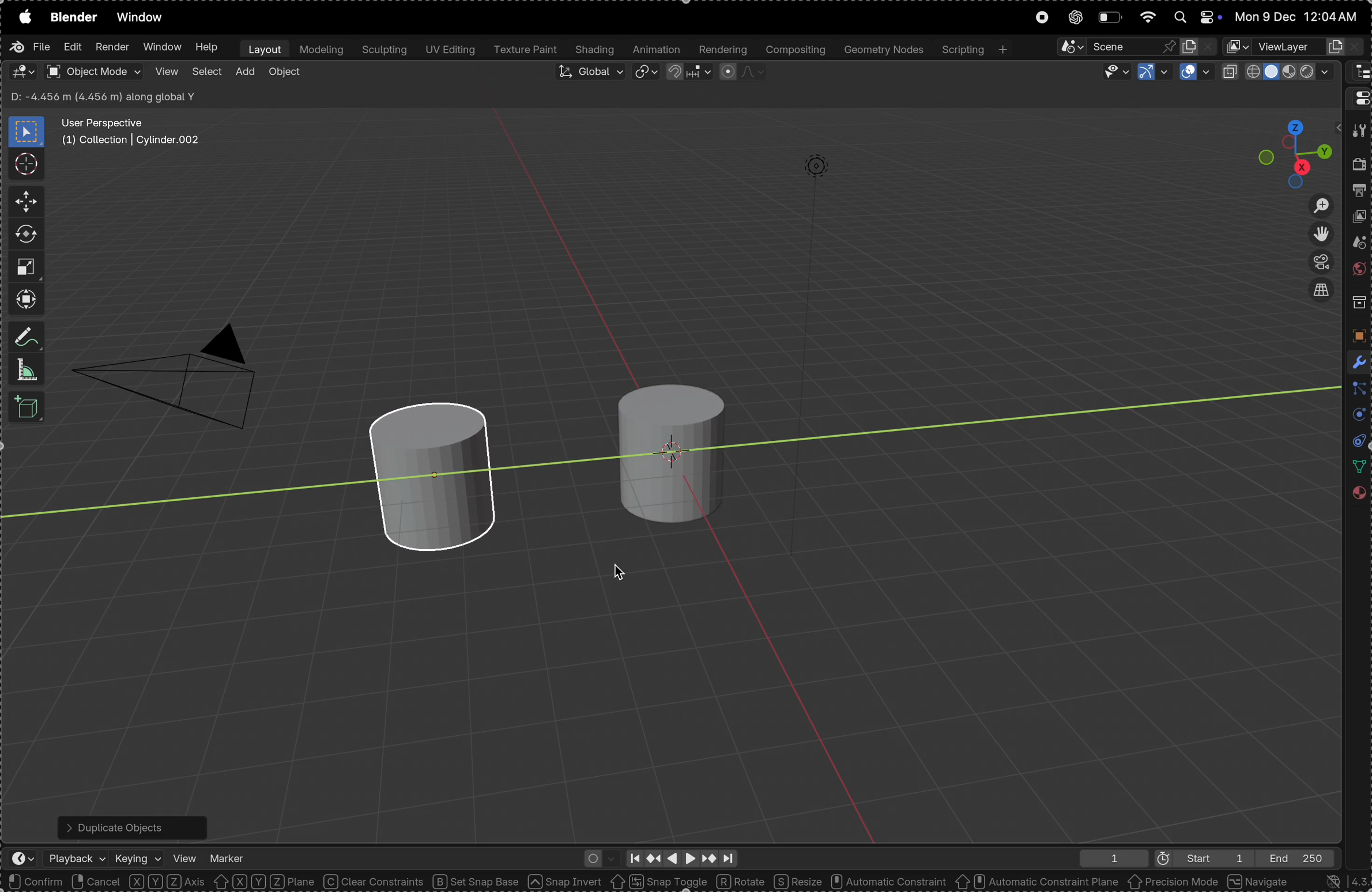 This screenshot has height=892, width=1372. Describe the element at coordinates (1147, 16) in the screenshot. I see `wifi` at that location.